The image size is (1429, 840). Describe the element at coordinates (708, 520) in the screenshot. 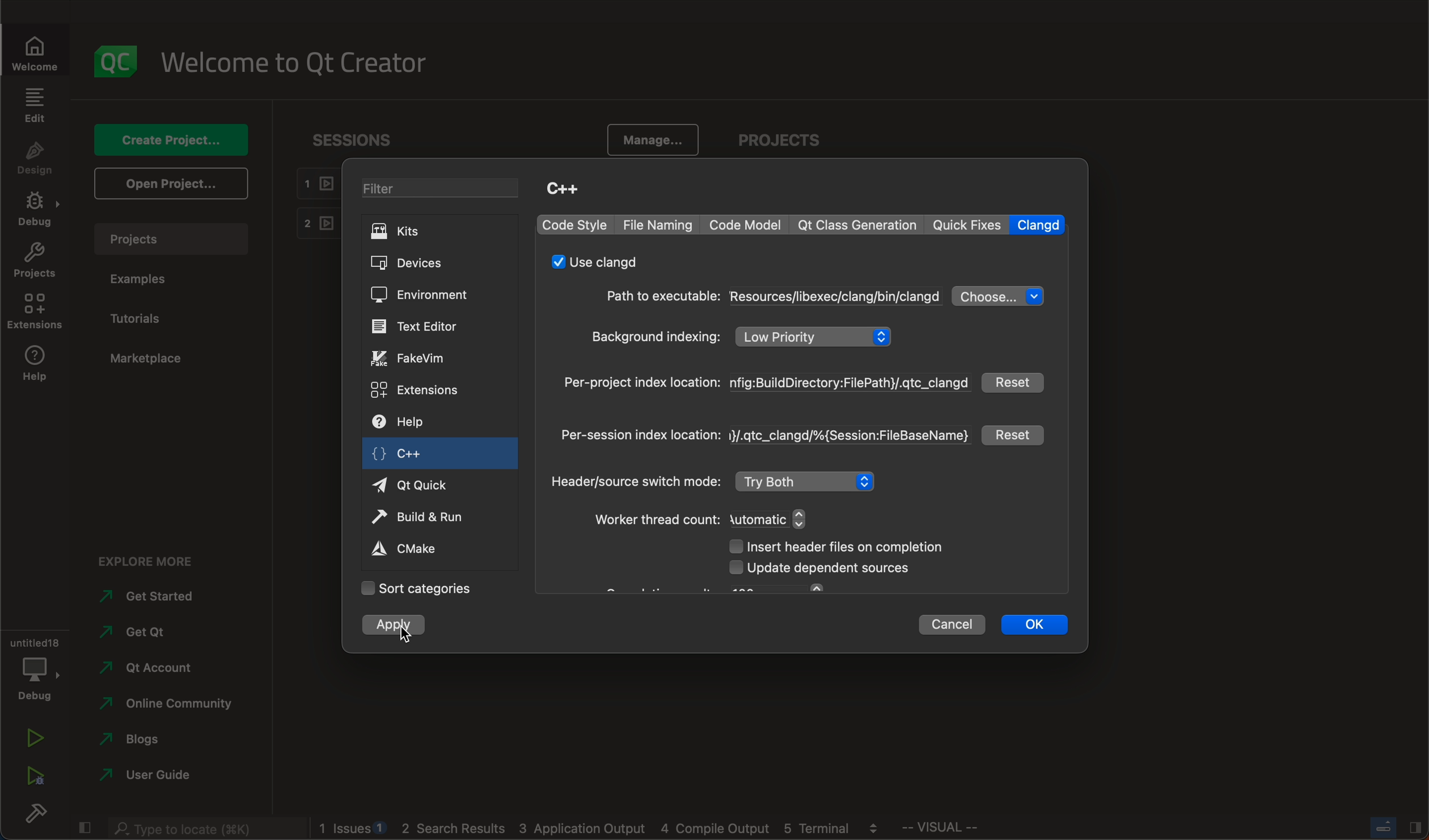

I see `thread count` at that location.